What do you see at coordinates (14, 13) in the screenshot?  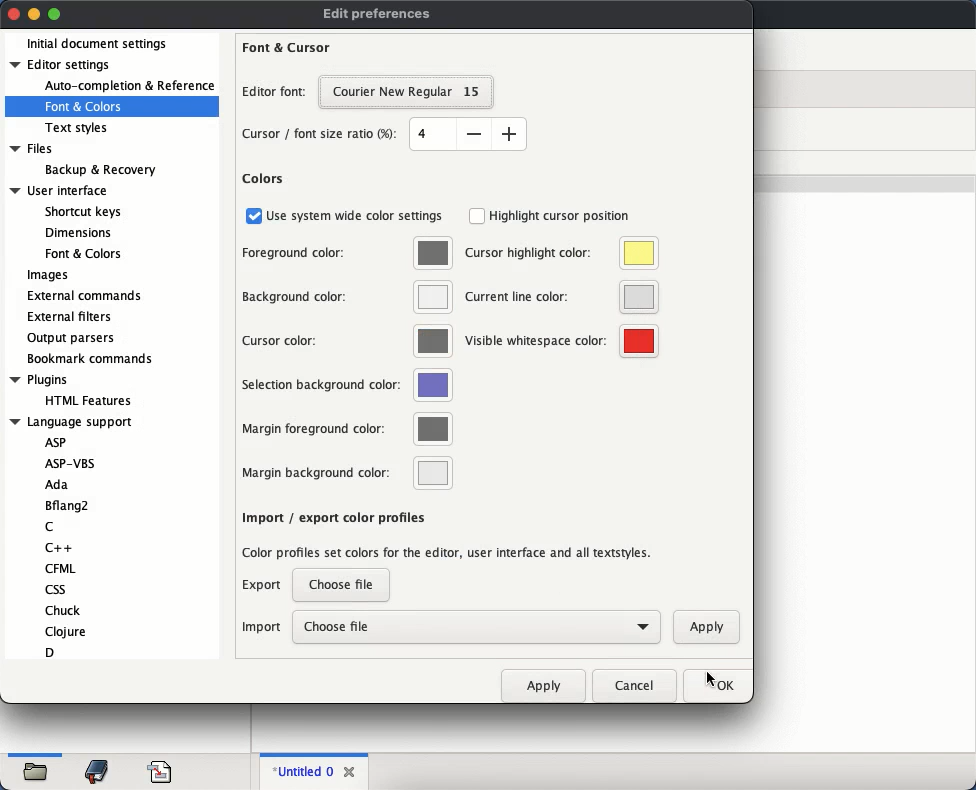 I see `close` at bounding box center [14, 13].